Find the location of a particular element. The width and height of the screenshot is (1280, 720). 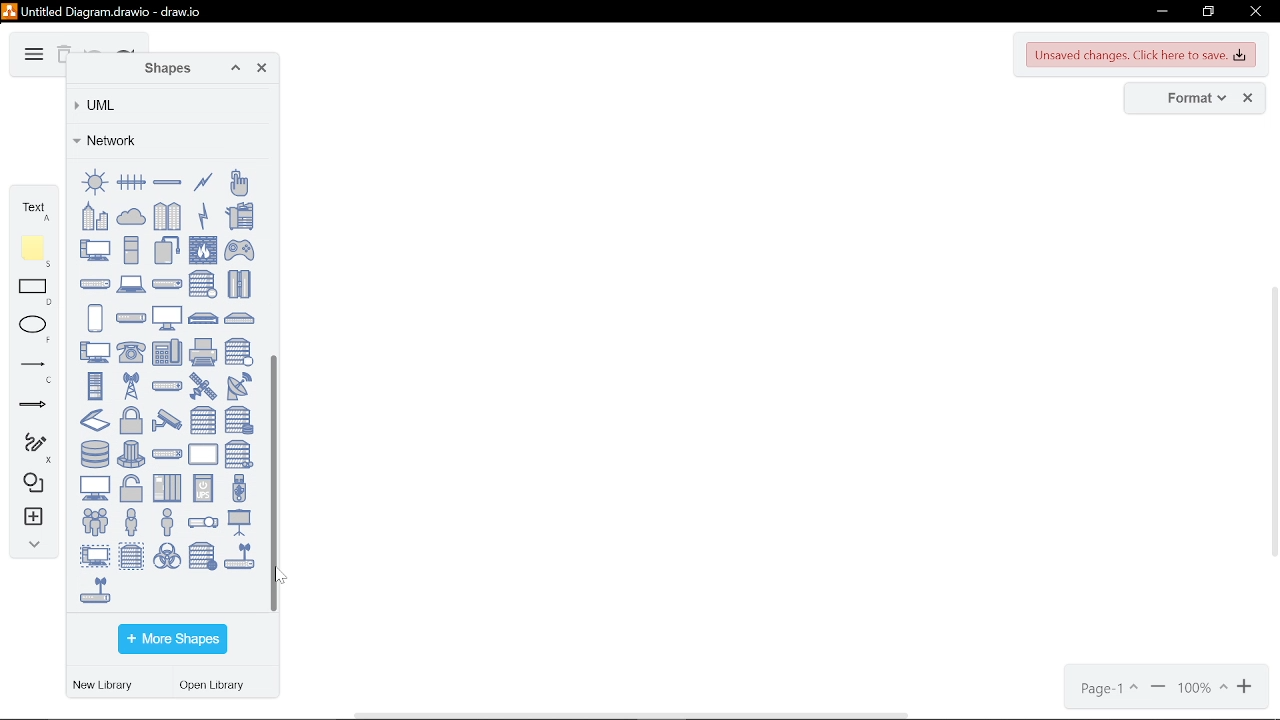

close is located at coordinates (1248, 99).